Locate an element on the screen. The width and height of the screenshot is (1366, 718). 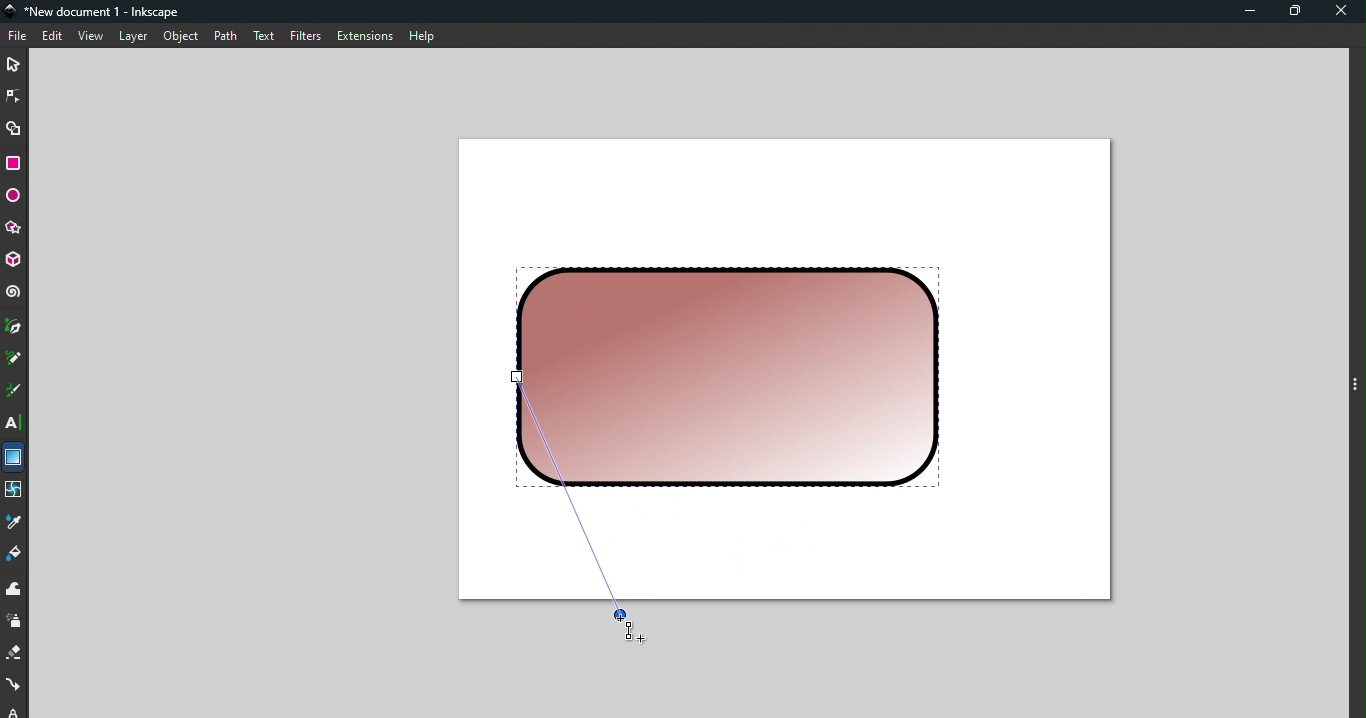
Extensions is located at coordinates (363, 36).